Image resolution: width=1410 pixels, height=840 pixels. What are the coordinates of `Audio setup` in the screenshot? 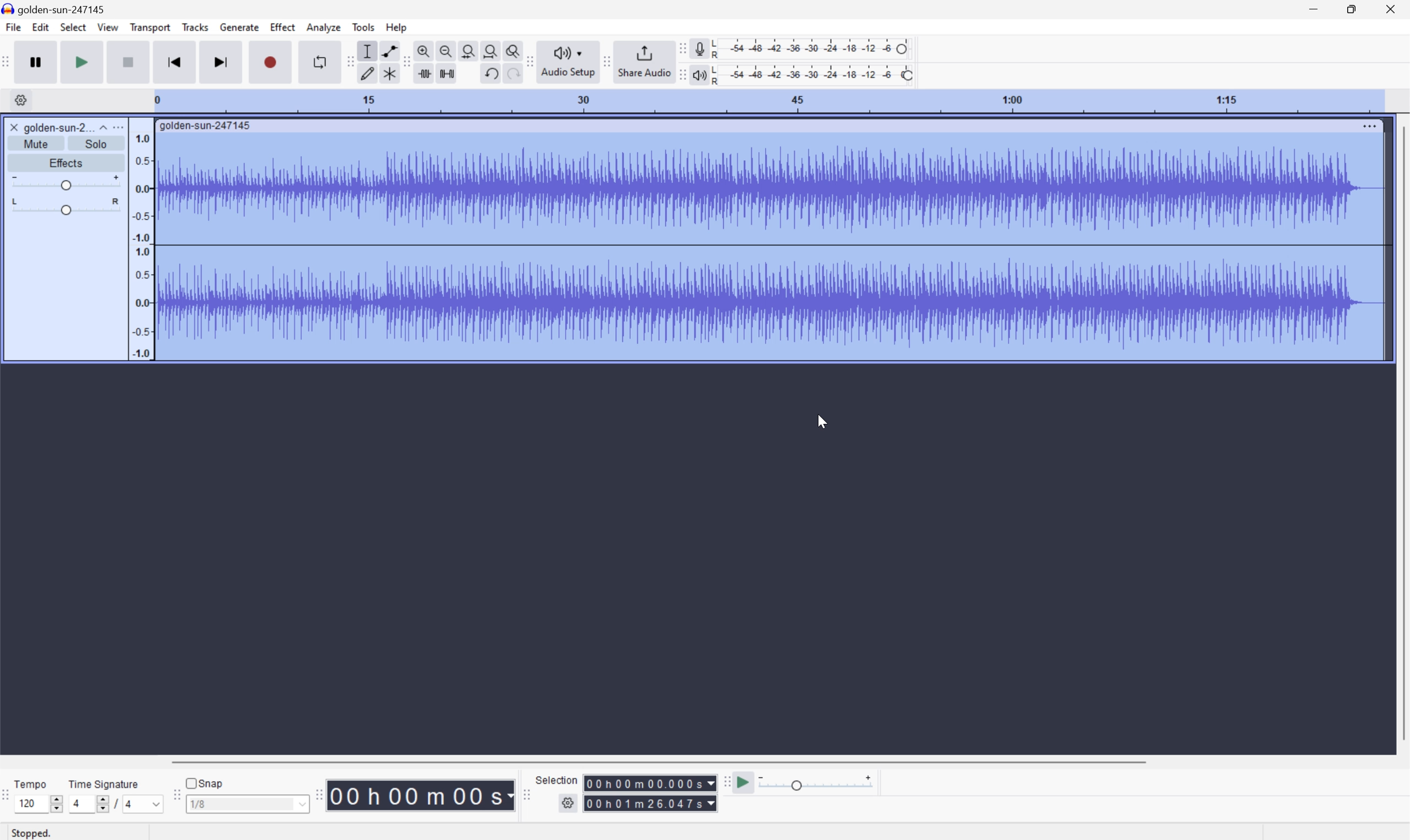 It's located at (569, 62).